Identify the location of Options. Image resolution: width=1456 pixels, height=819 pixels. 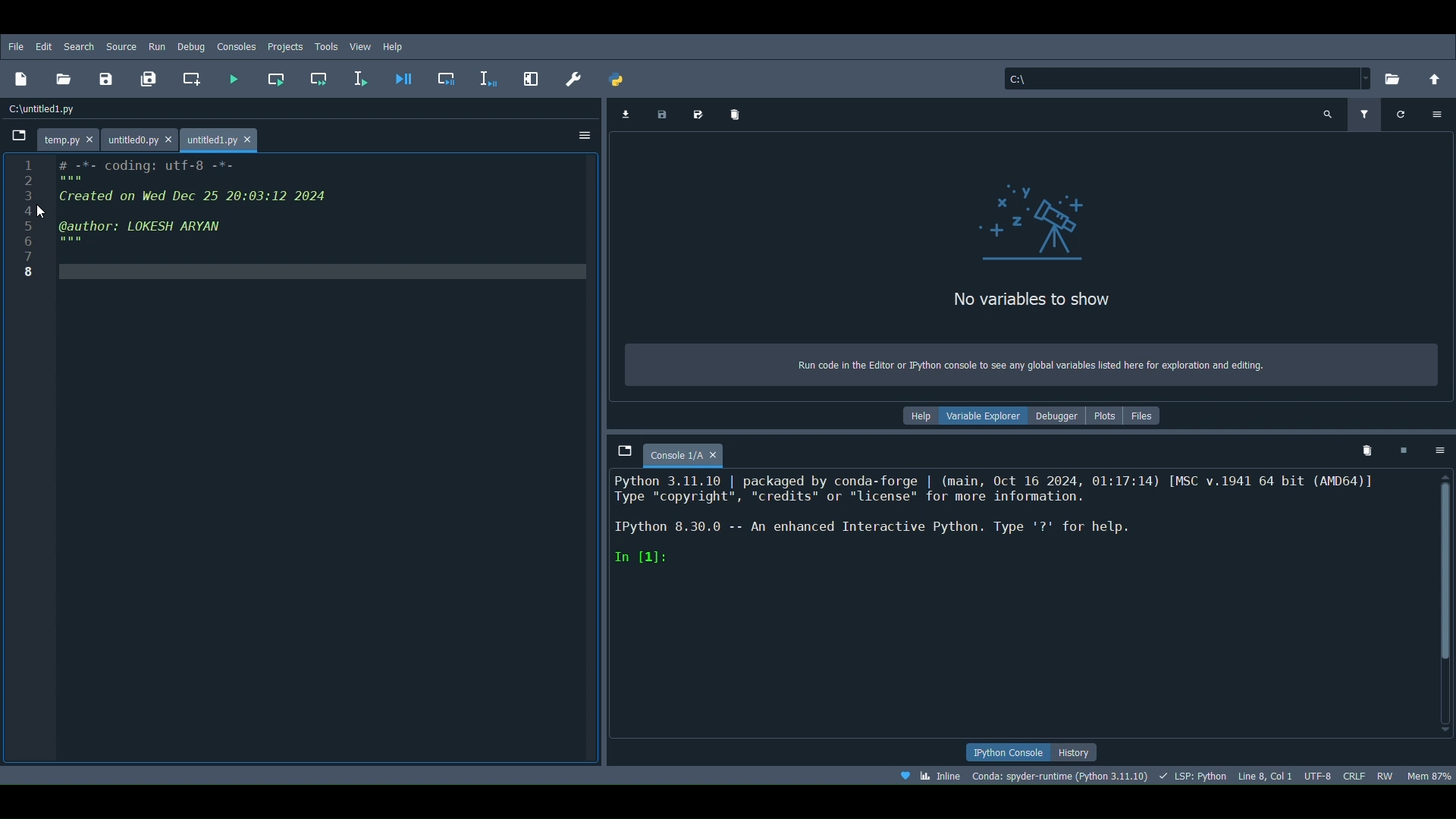
(585, 138).